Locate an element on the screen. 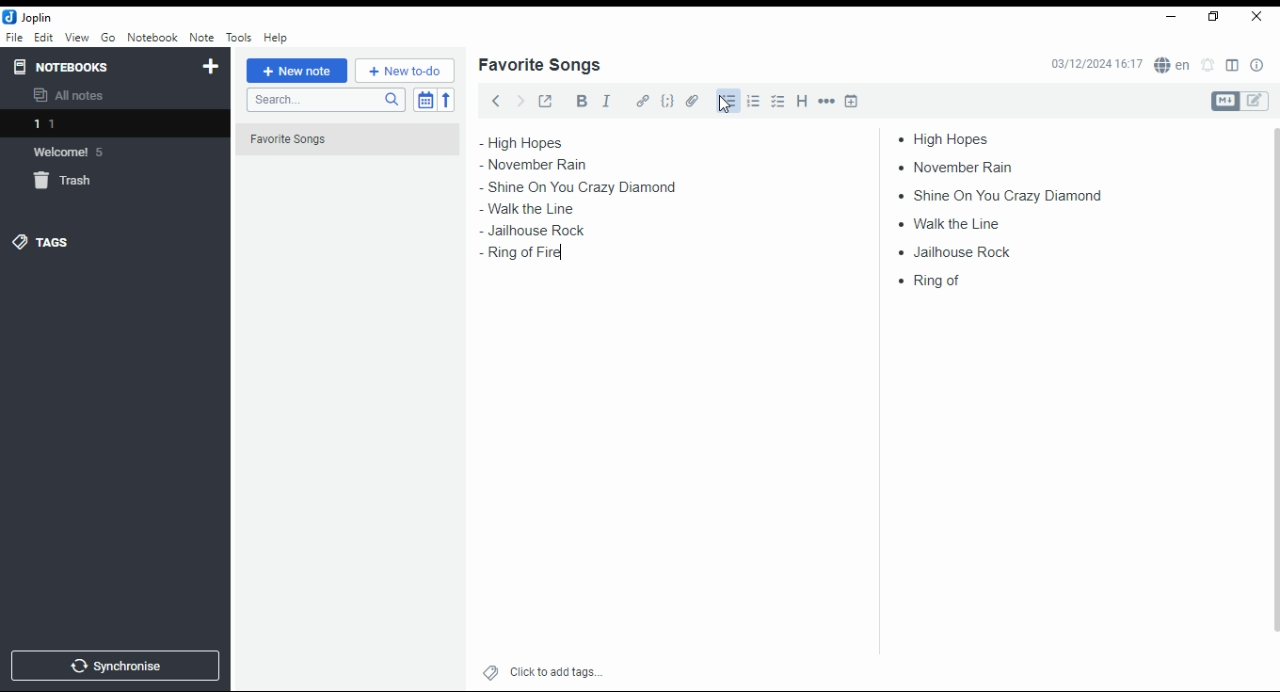 Image resolution: width=1280 pixels, height=692 pixels. toggle sort order field is located at coordinates (425, 100).